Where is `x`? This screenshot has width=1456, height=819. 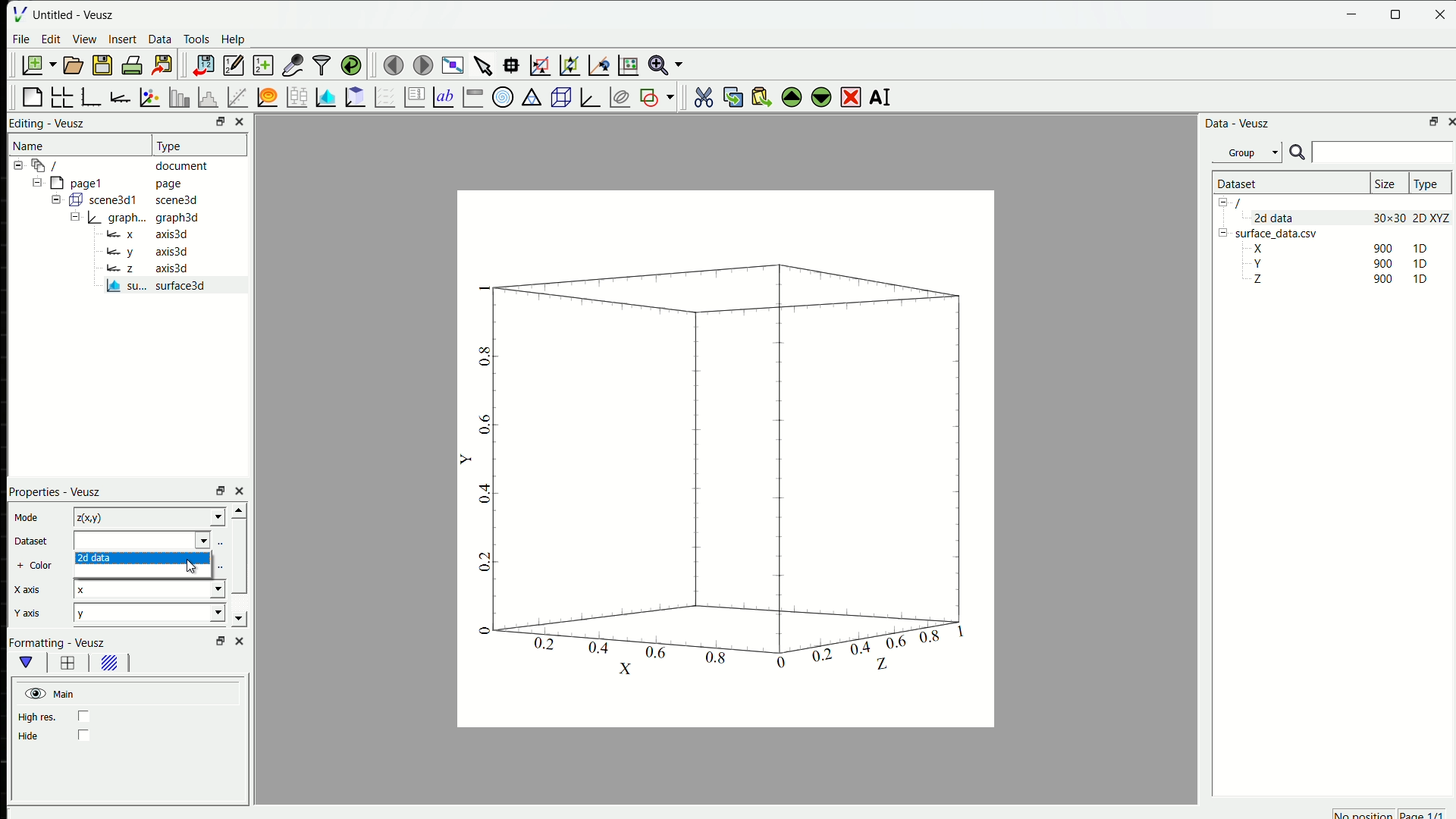 x is located at coordinates (121, 234).